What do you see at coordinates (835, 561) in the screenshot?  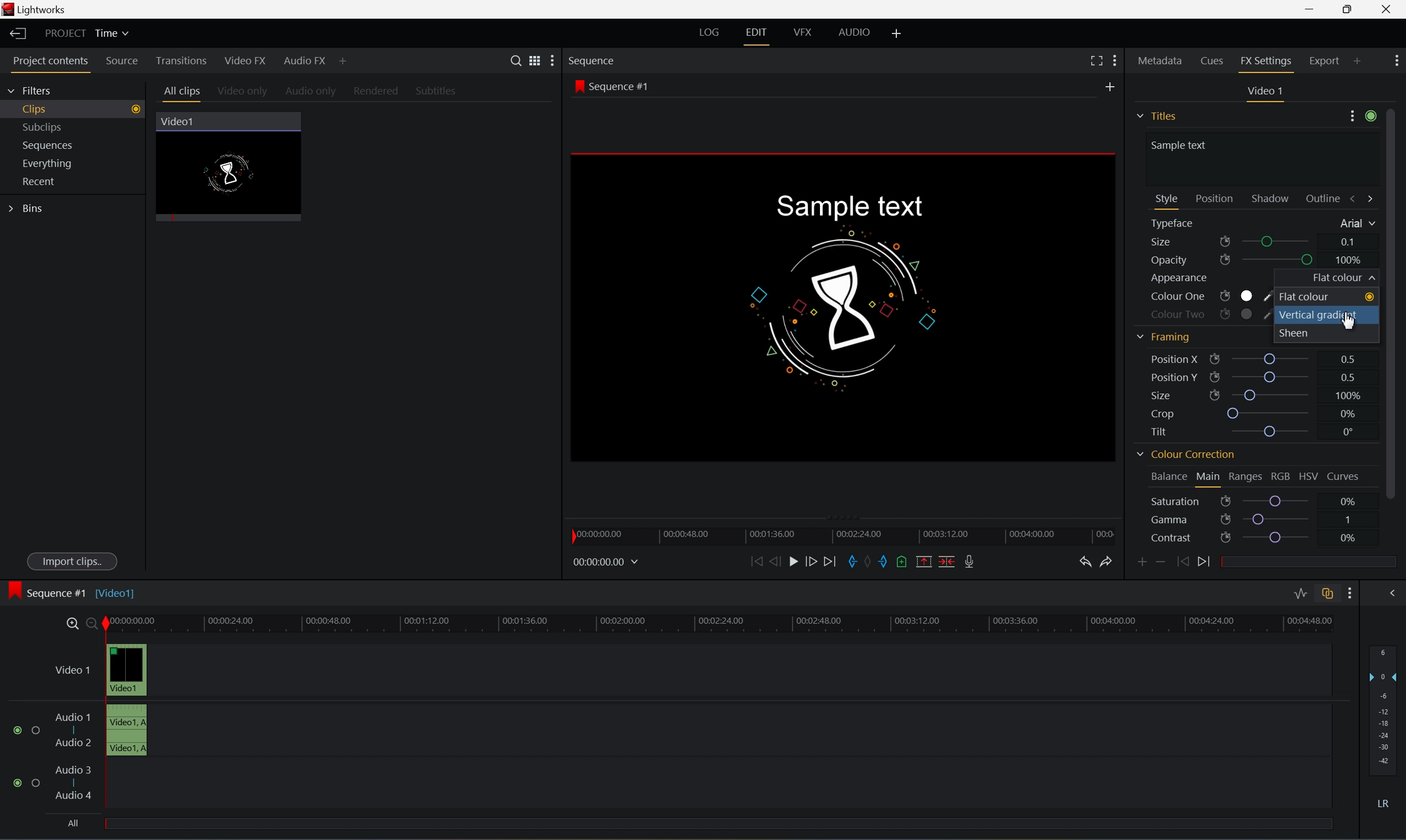 I see `move forward` at bounding box center [835, 561].